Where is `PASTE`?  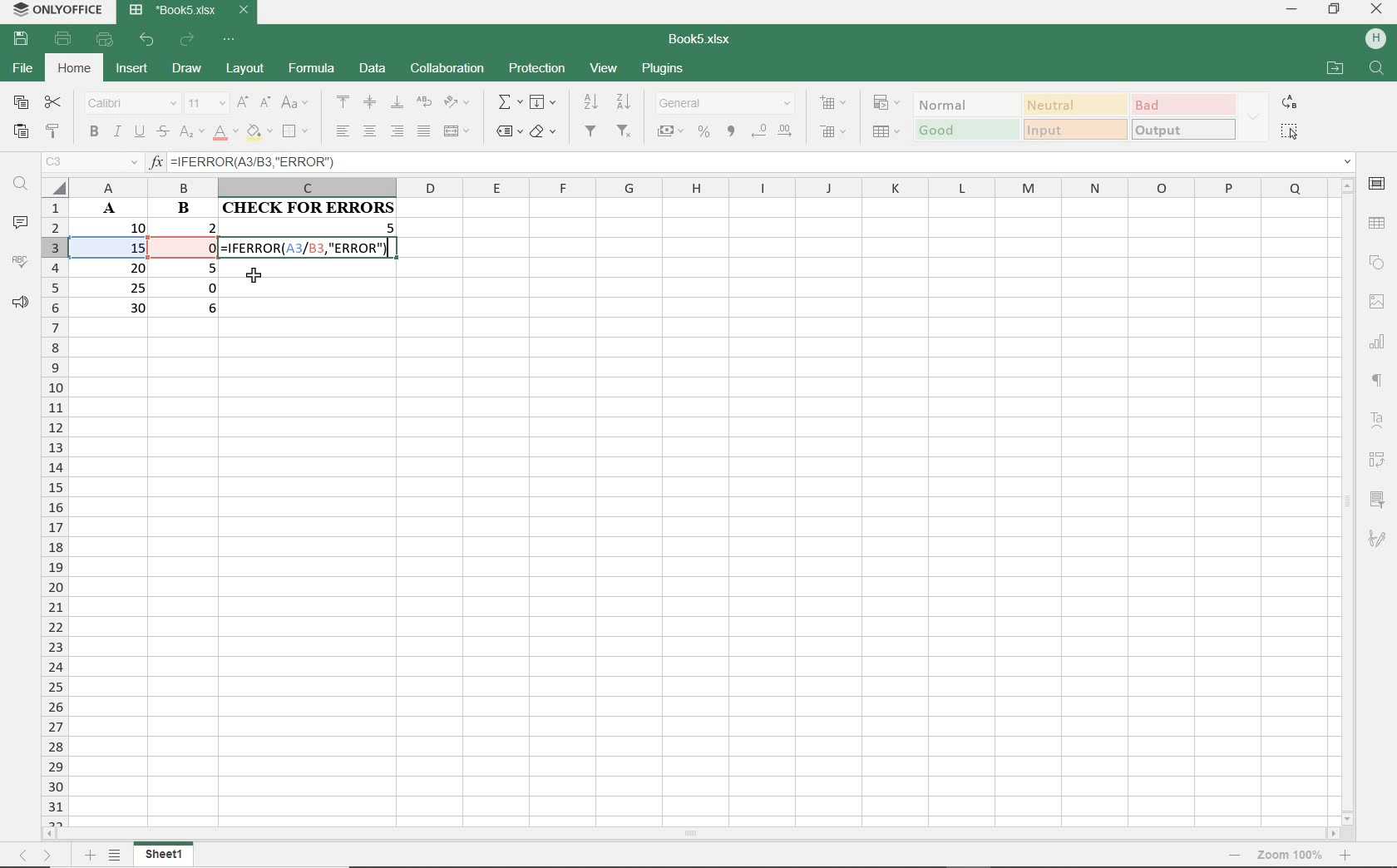
PASTE is located at coordinates (19, 133).